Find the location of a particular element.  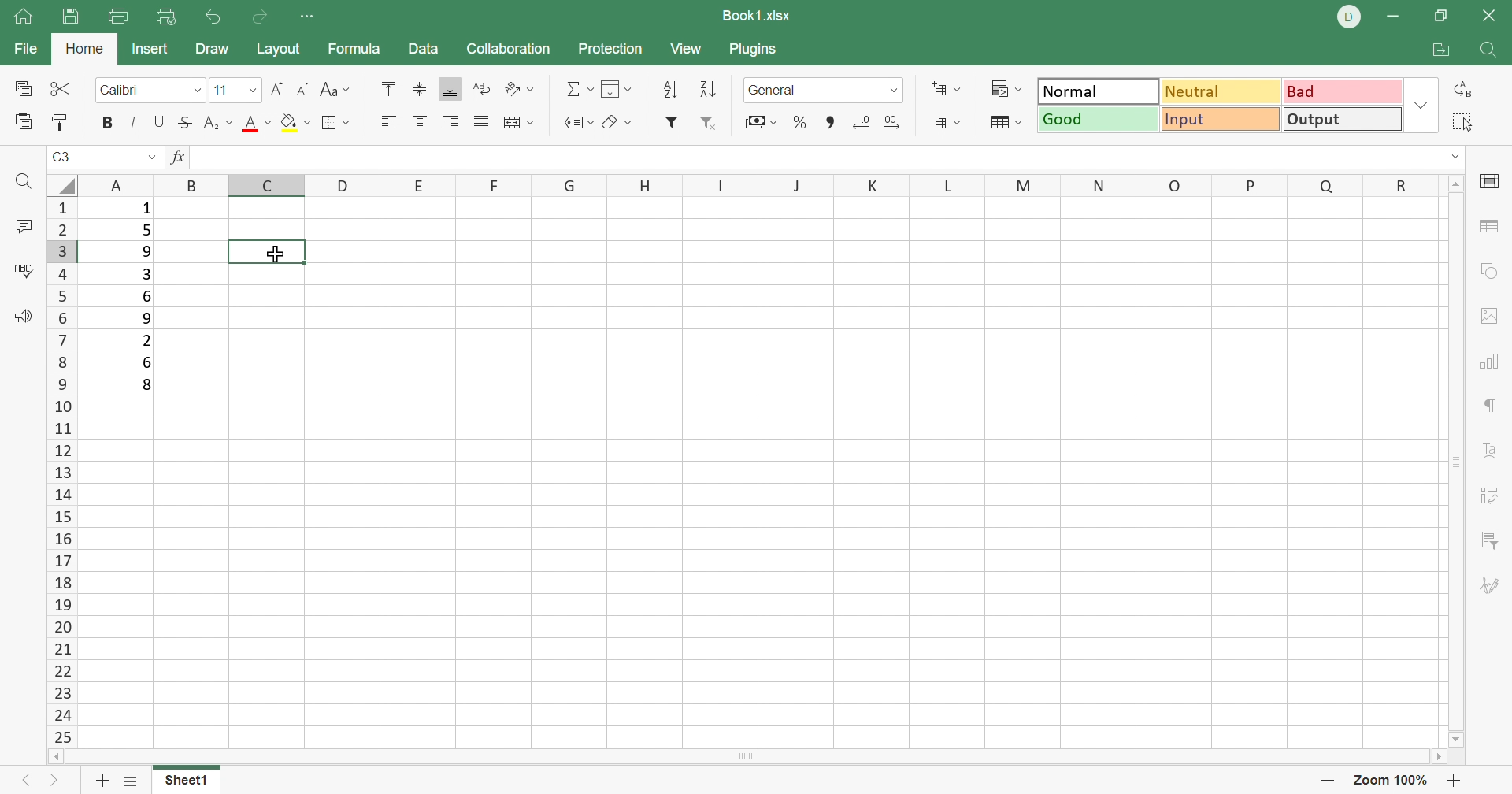

Increase decimal is located at coordinates (899, 123).